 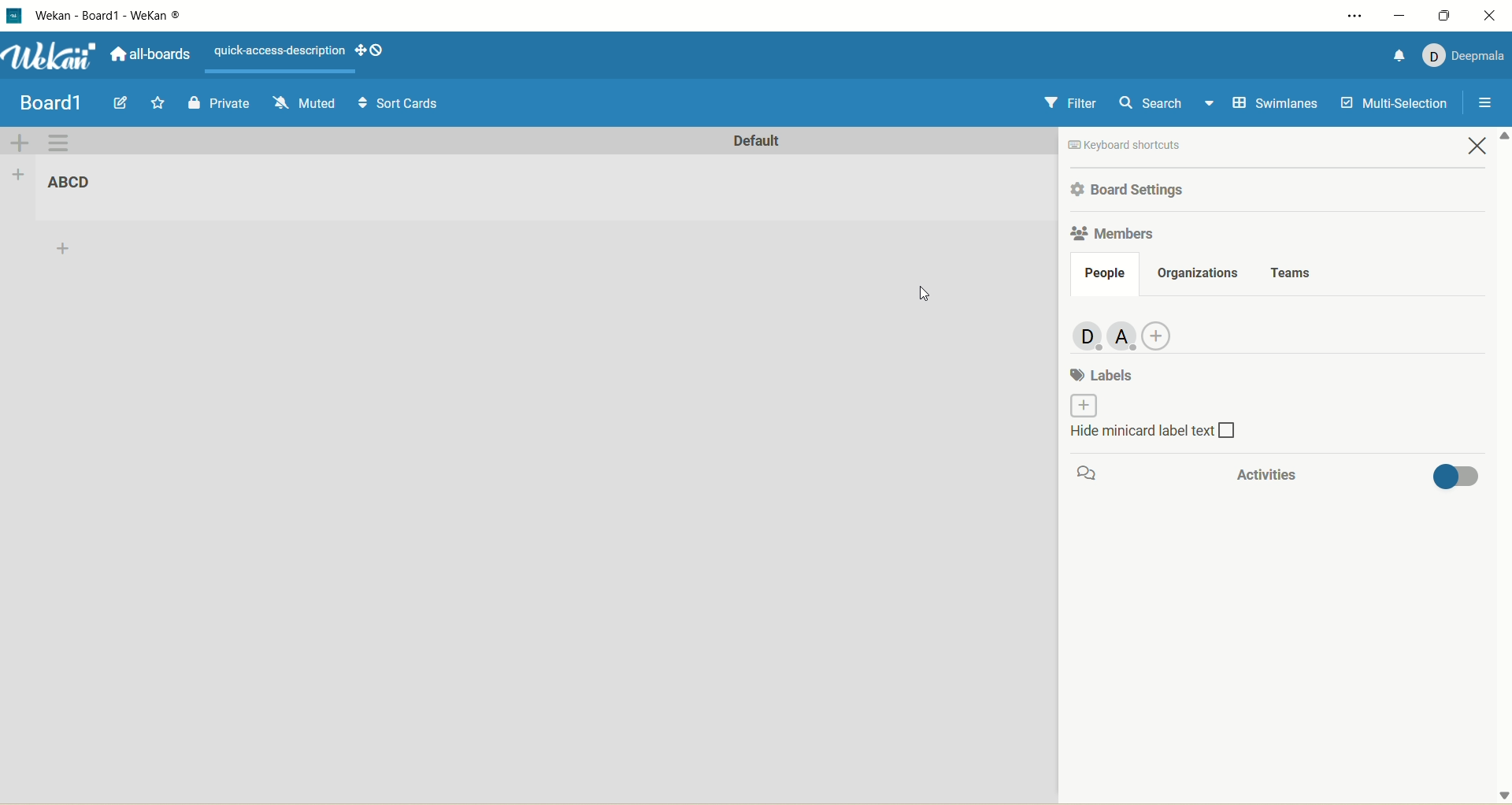 What do you see at coordinates (1397, 102) in the screenshot?
I see `multi selection` at bounding box center [1397, 102].